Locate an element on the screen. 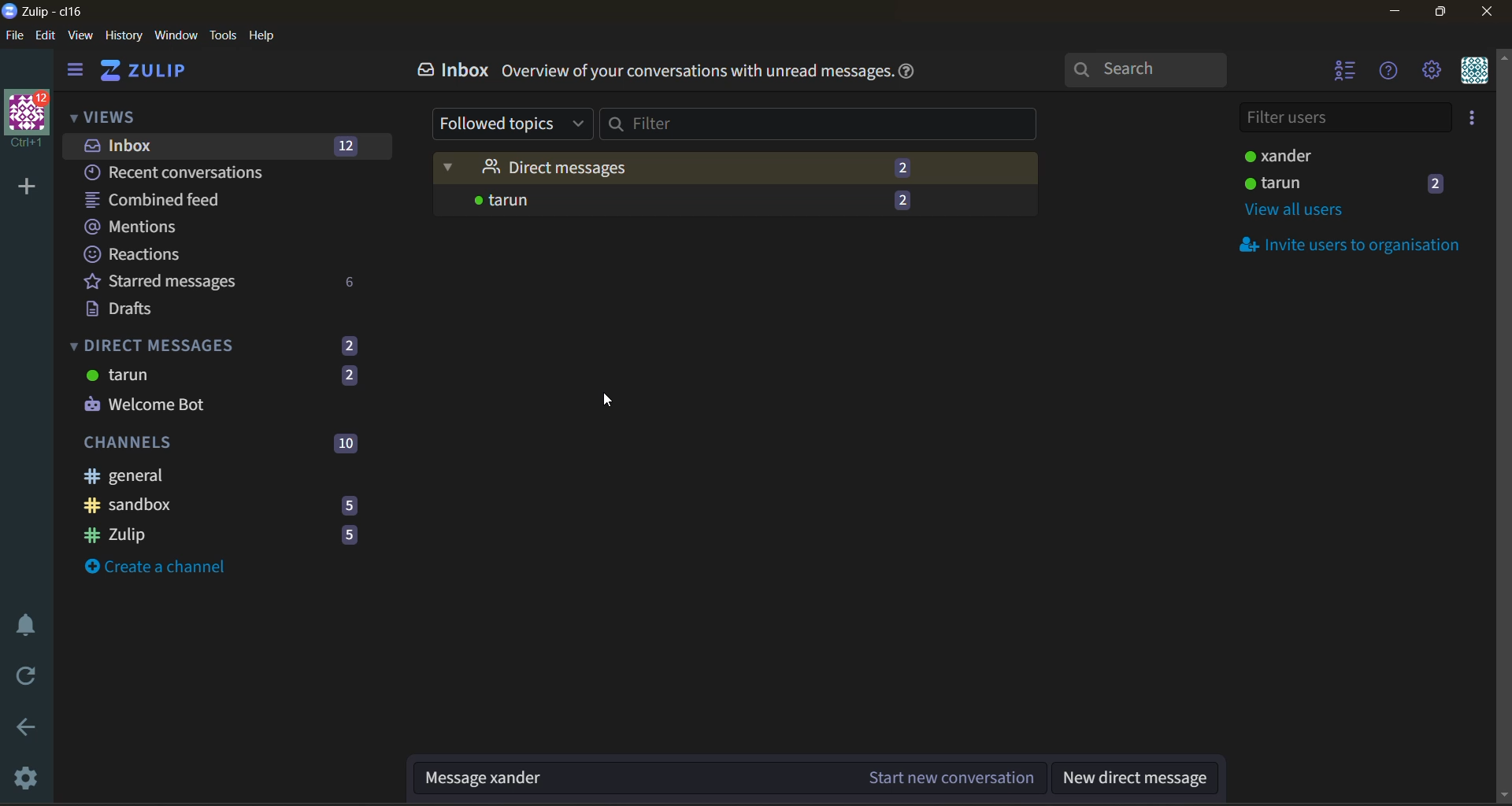 The height and width of the screenshot is (806, 1512). recent conversations is located at coordinates (192, 172).